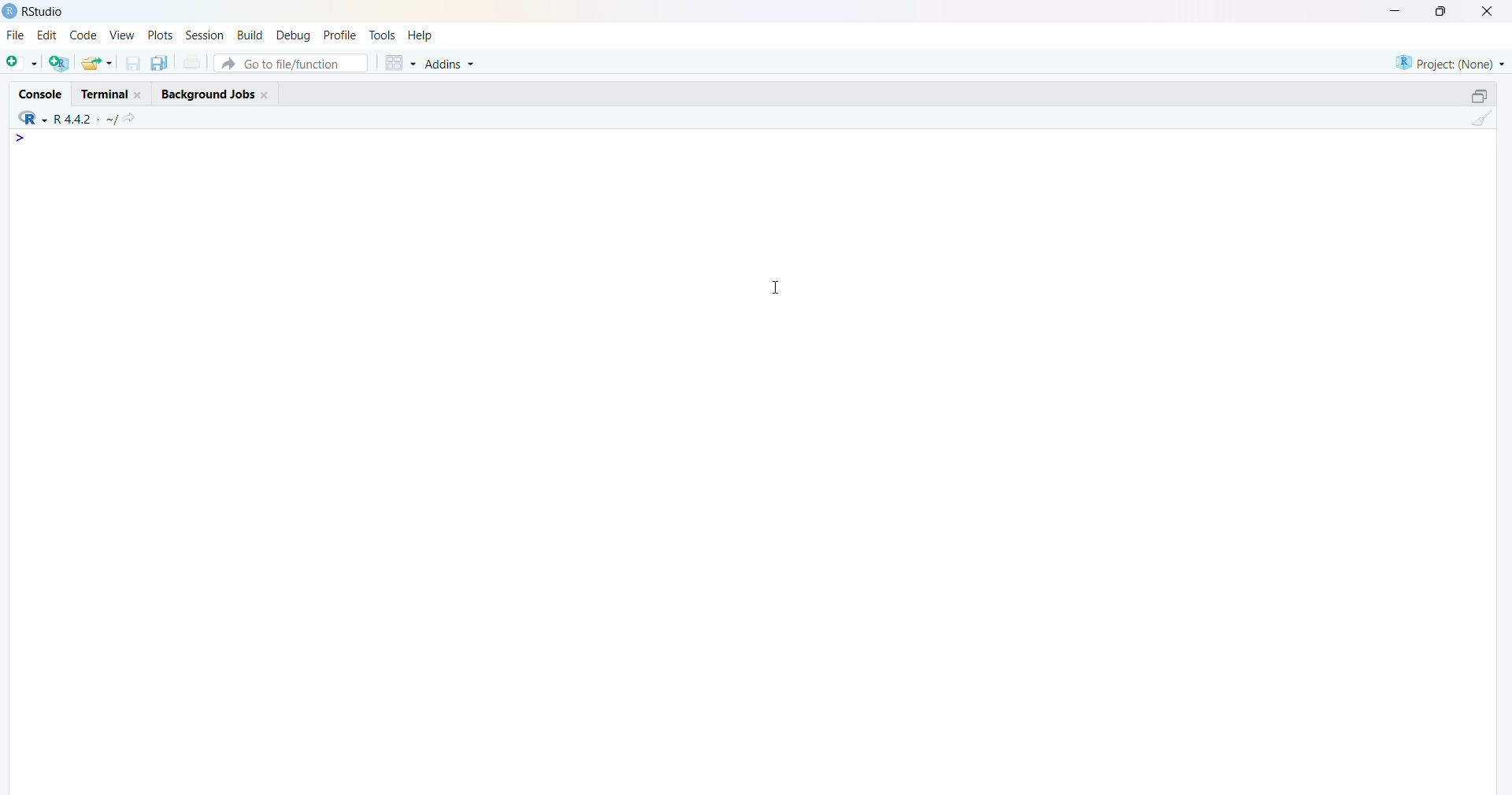  I want to click on debug, so click(295, 35).